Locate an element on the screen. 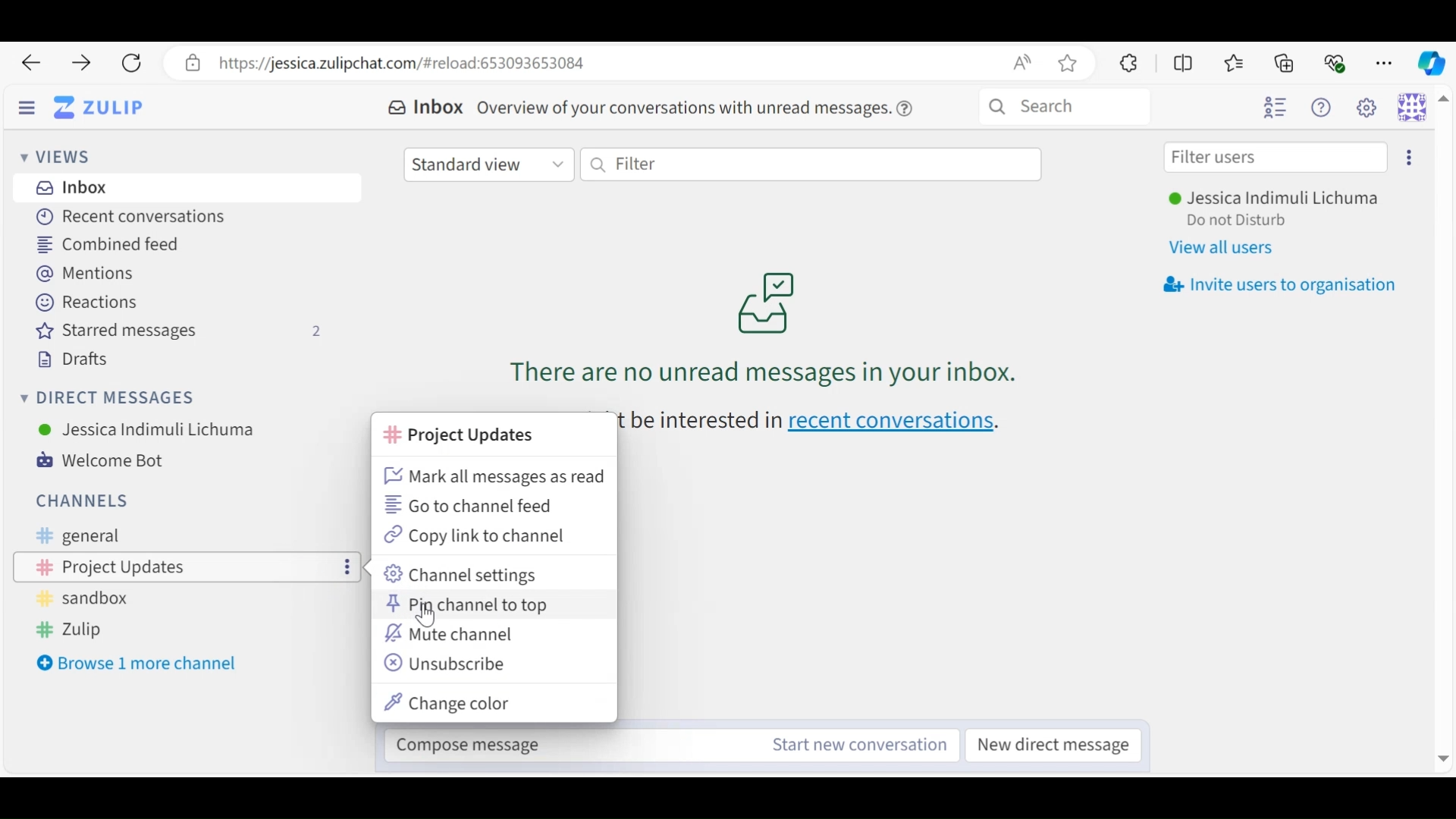 Image resolution: width=1456 pixels, height=819 pixels. Starred messages is located at coordinates (184, 331).